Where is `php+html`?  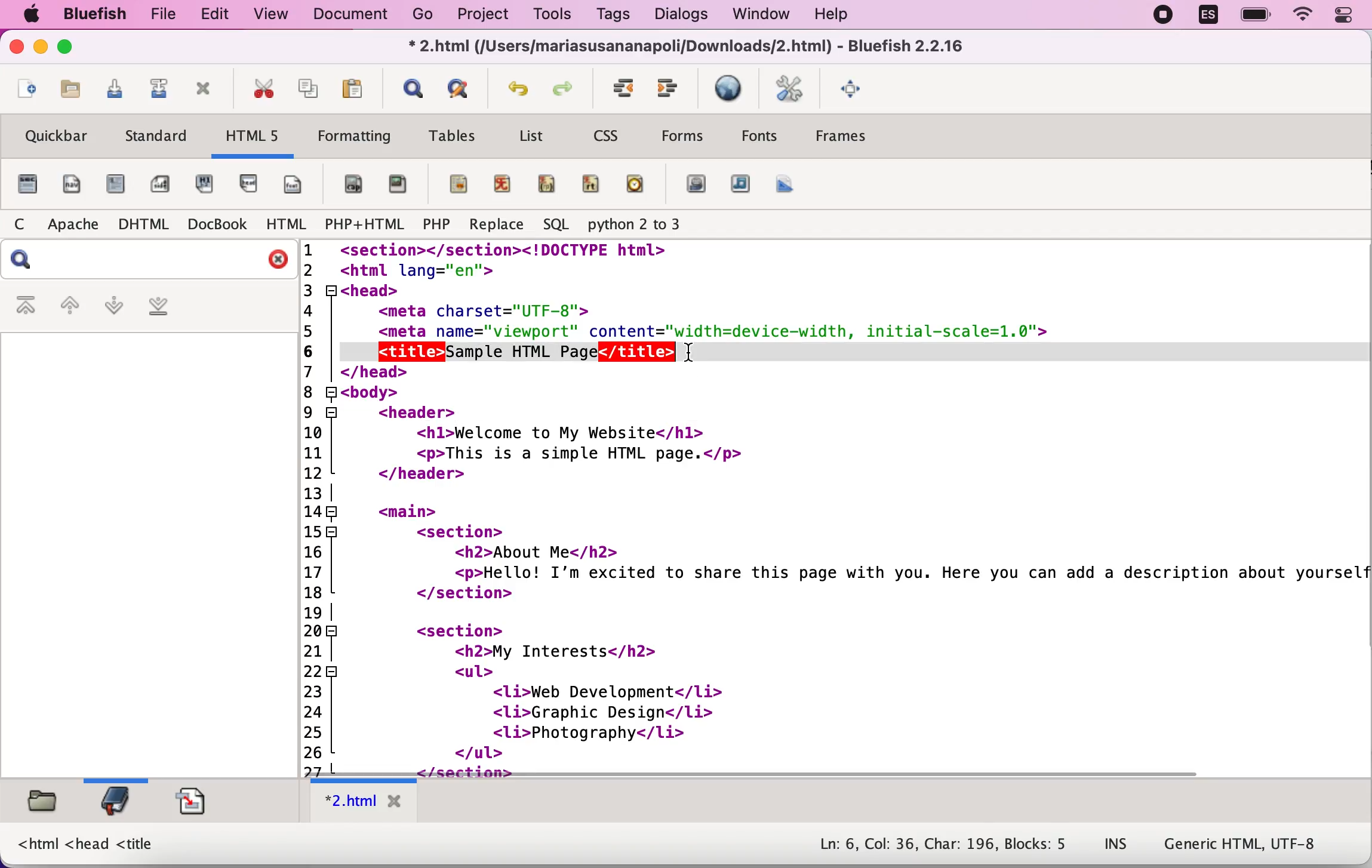 php+html is located at coordinates (365, 226).